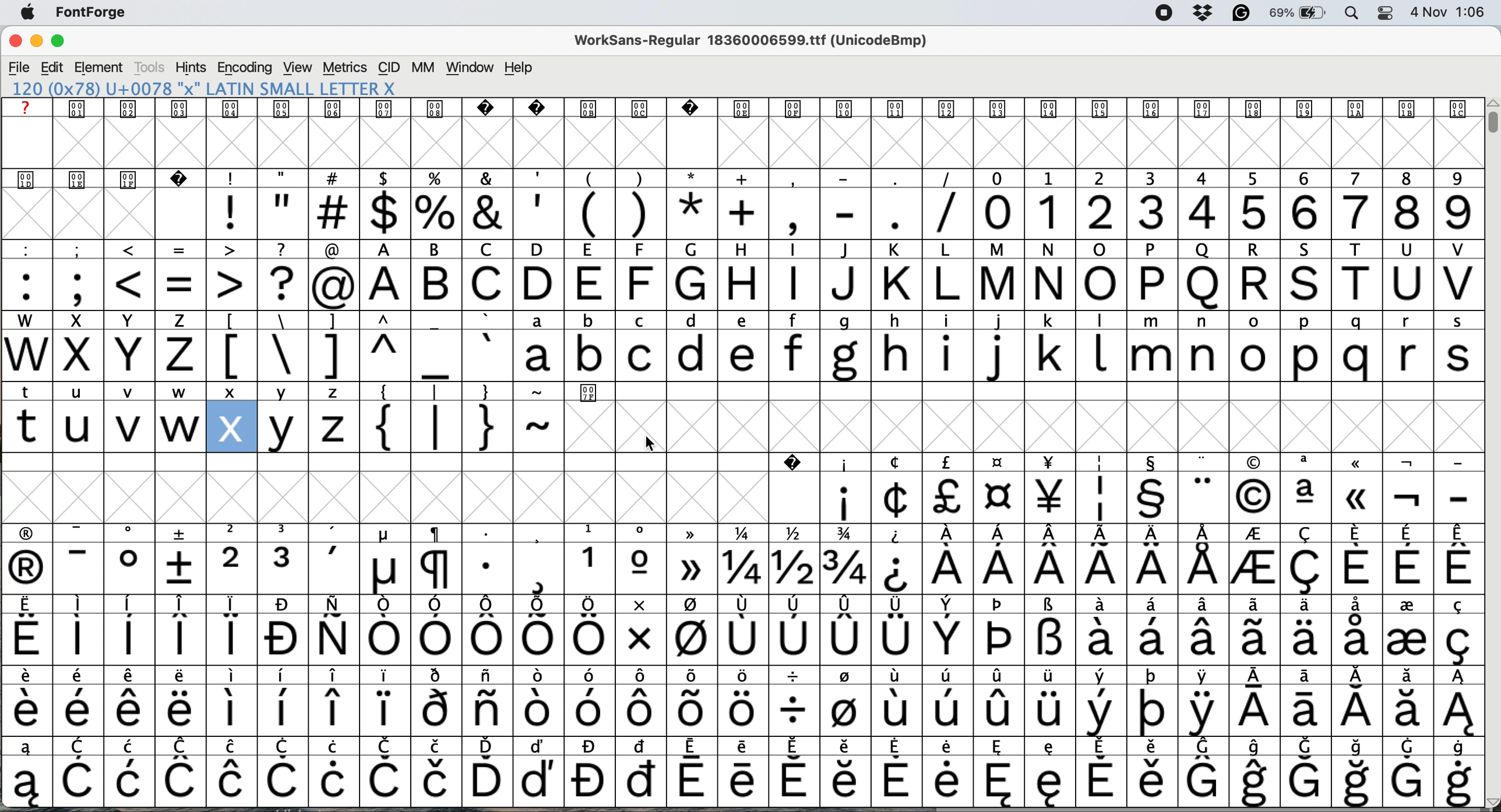 This screenshot has width=1501, height=812. What do you see at coordinates (739, 533) in the screenshot?
I see `special characters` at bounding box center [739, 533].